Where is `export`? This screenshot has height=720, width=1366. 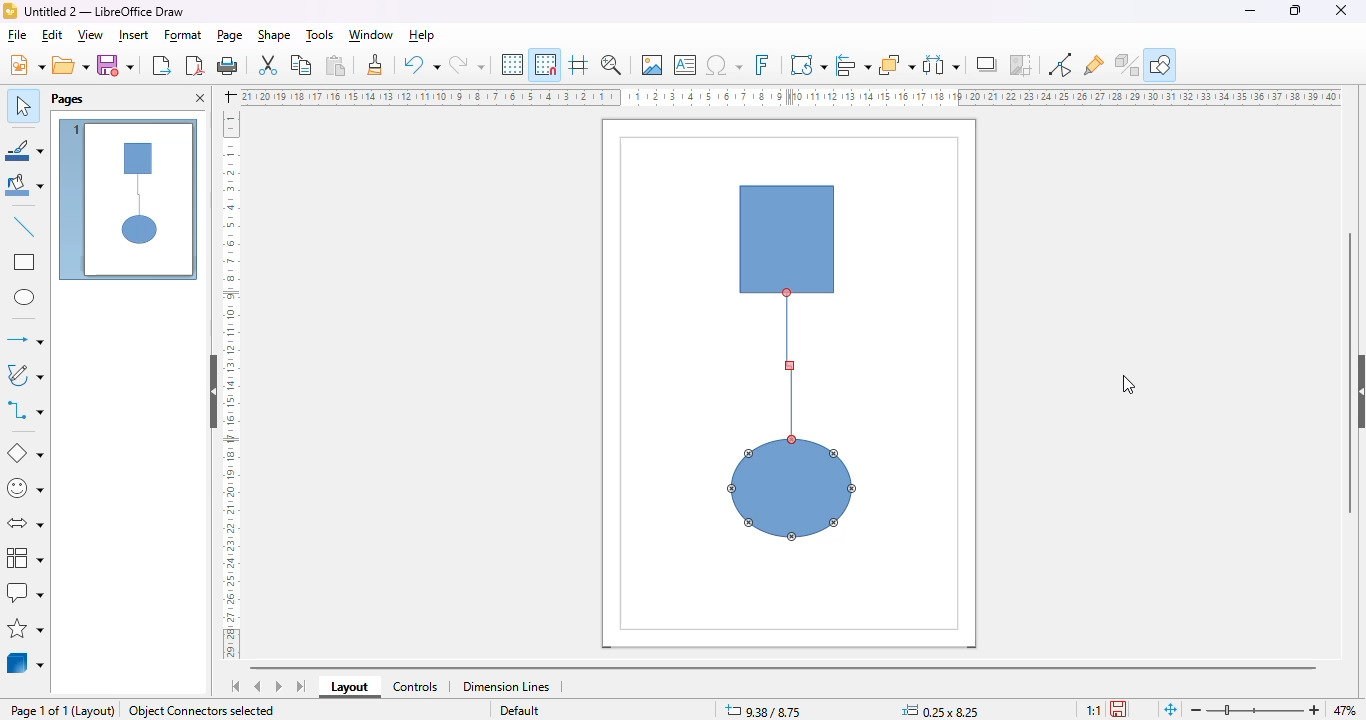 export is located at coordinates (161, 66).